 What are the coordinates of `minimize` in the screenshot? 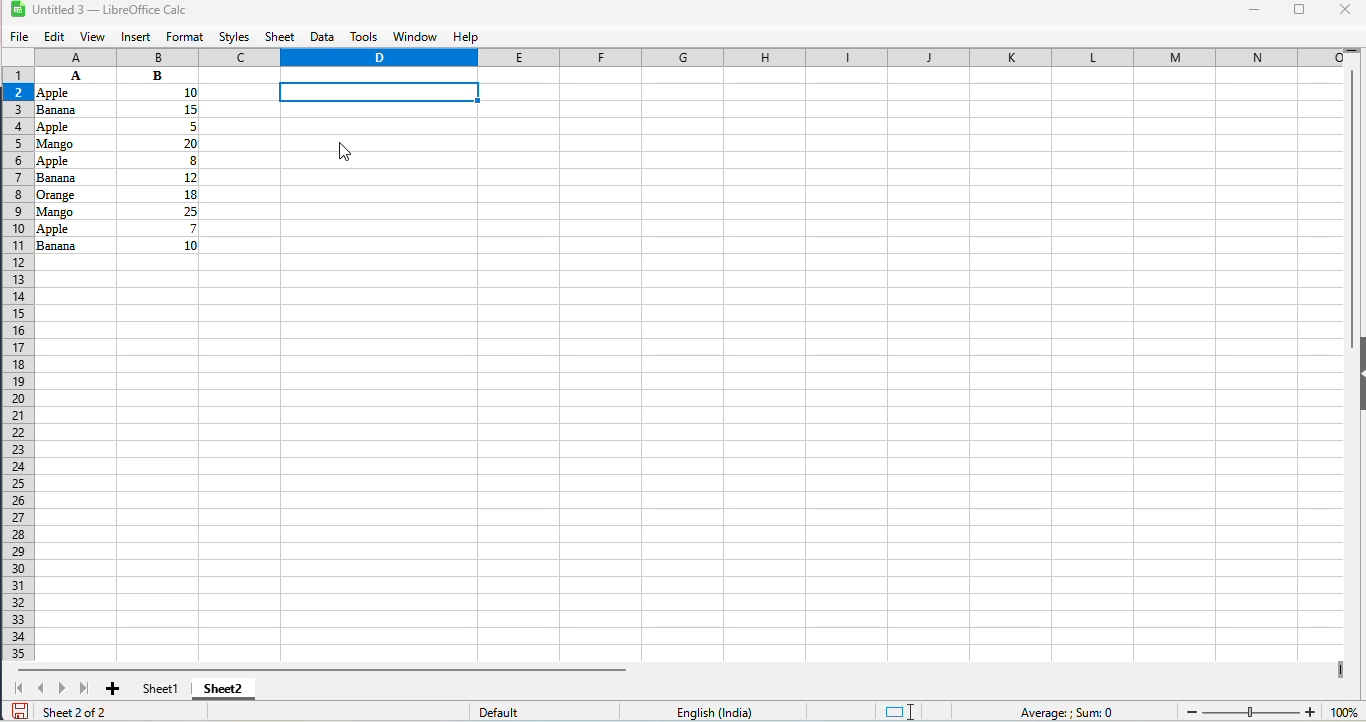 It's located at (1254, 9).